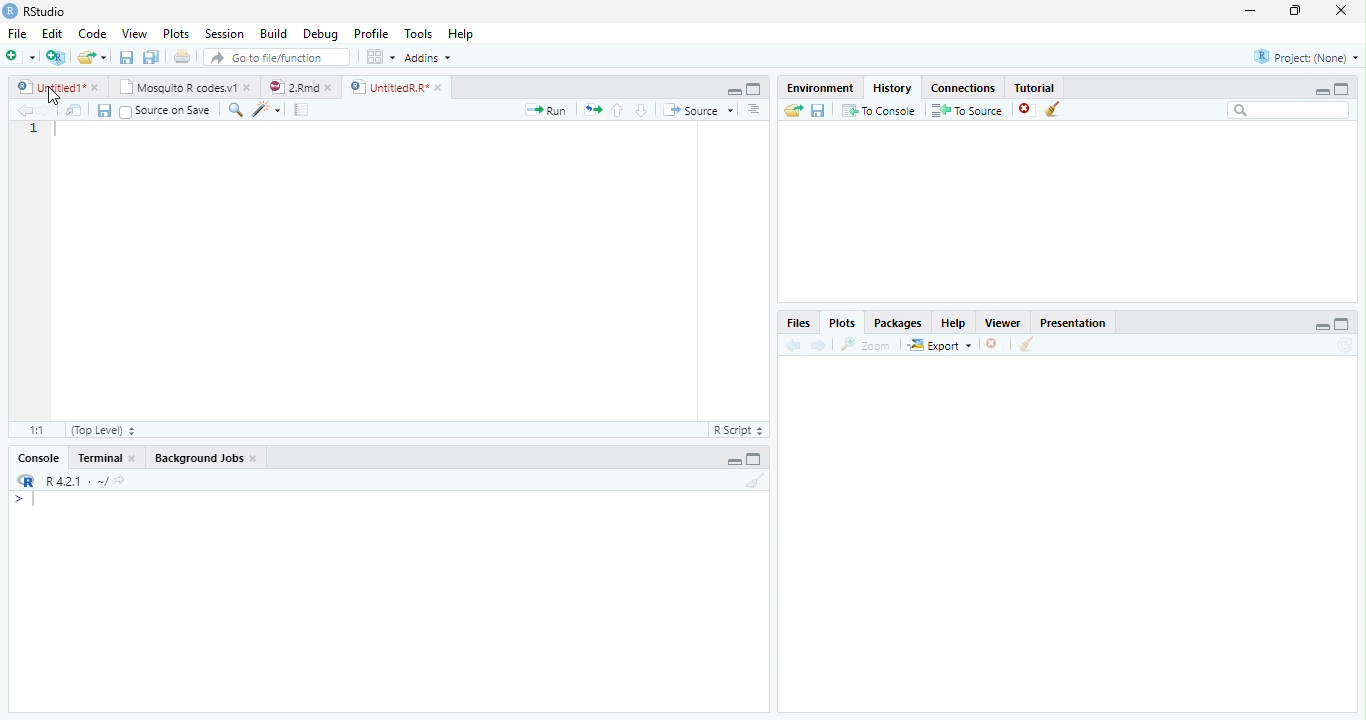  I want to click on To Source, so click(964, 112).